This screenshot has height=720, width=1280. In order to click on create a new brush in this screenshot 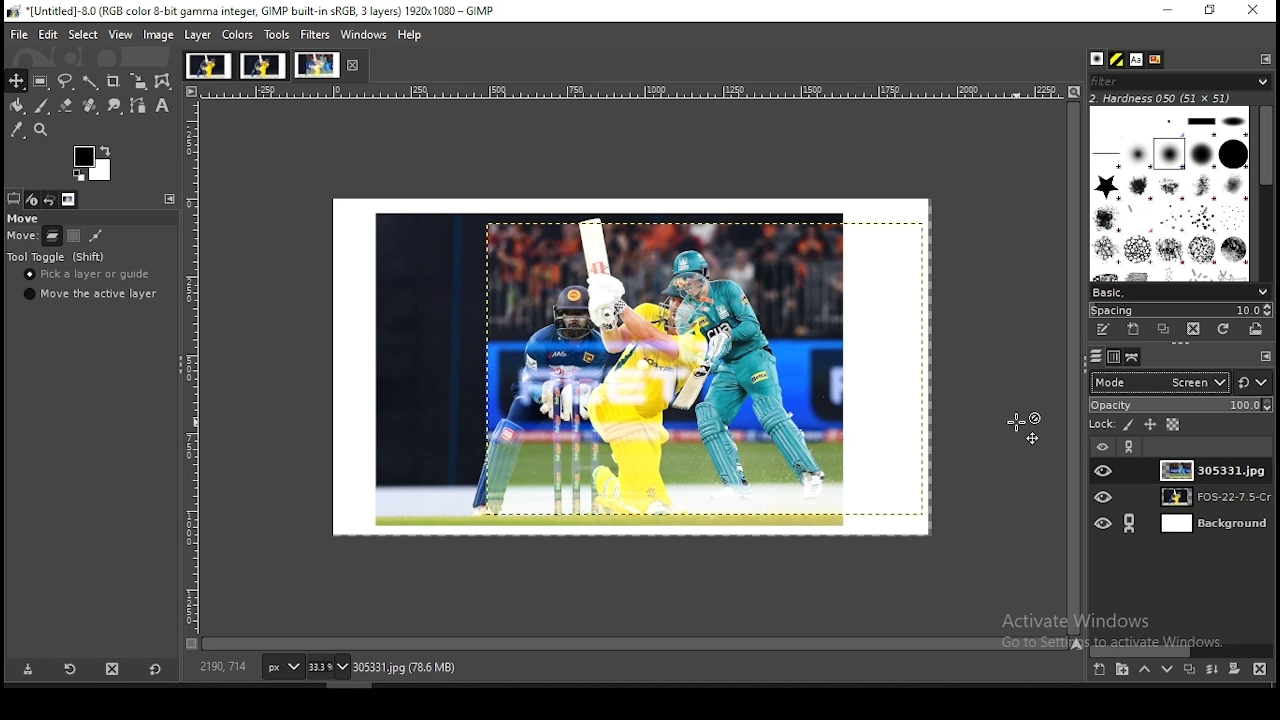, I will do `click(1132, 330)`.